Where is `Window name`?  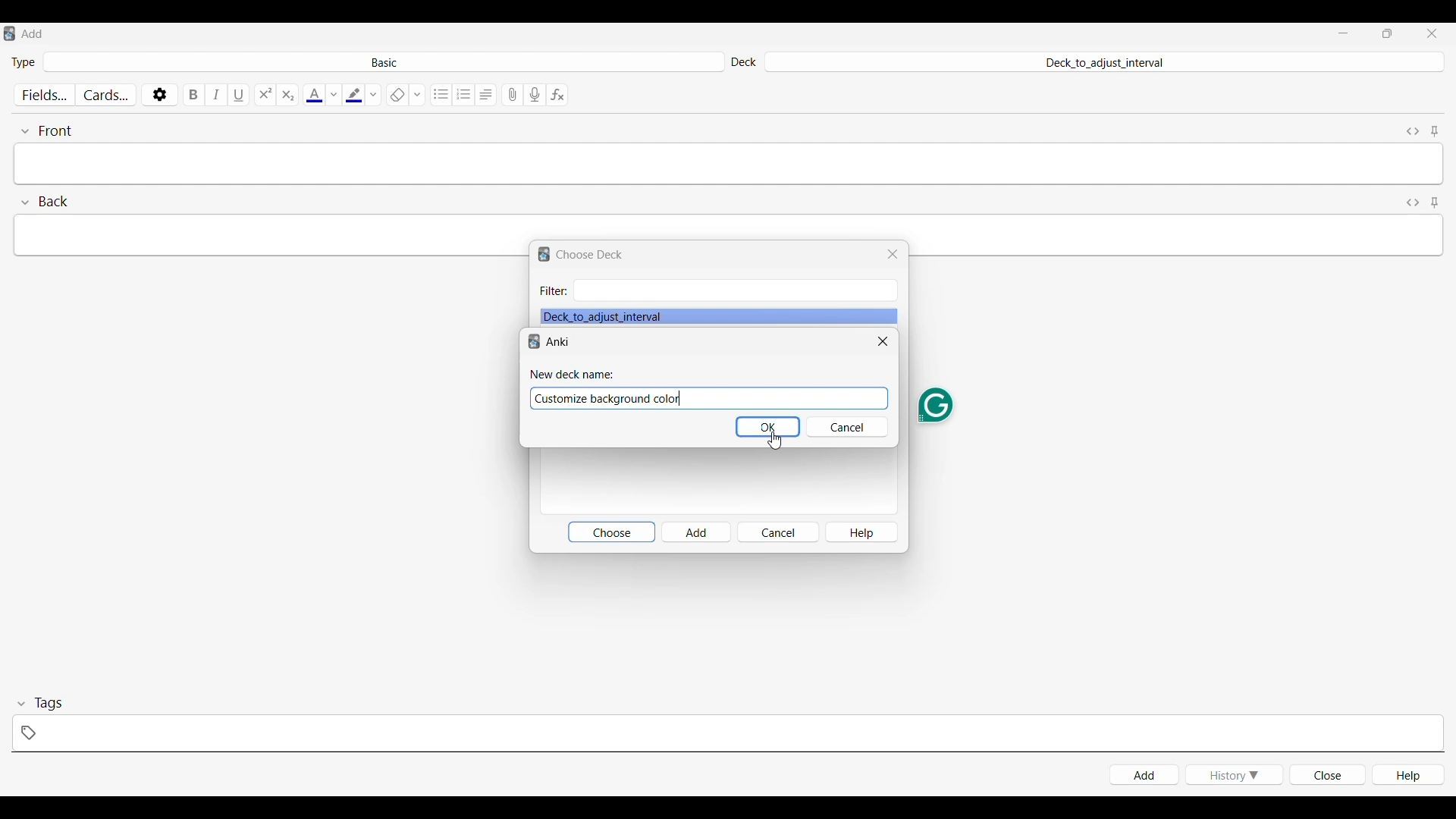
Window name is located at coordinates (33, 33).